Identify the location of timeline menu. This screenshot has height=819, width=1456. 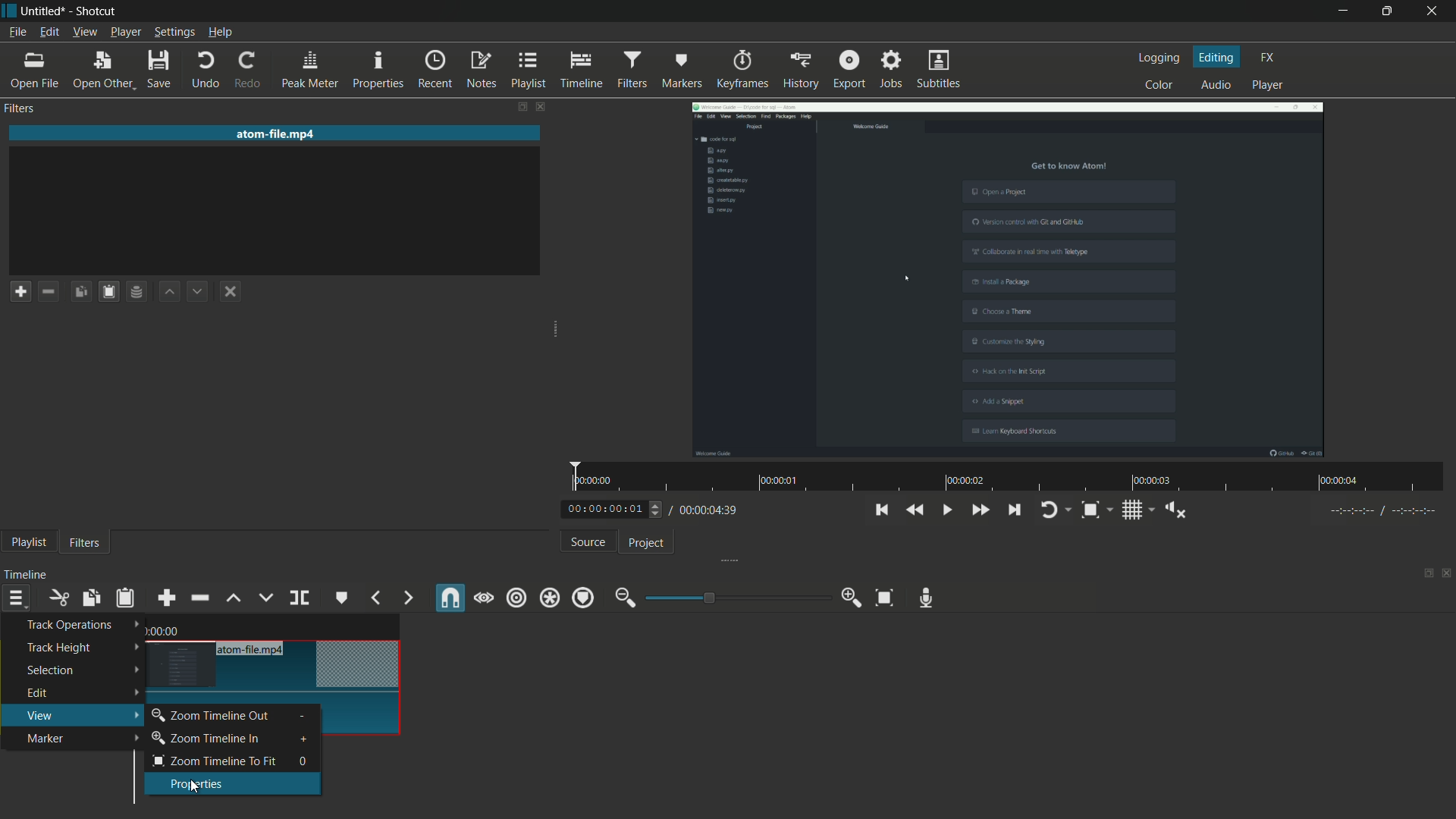
(16, 598).